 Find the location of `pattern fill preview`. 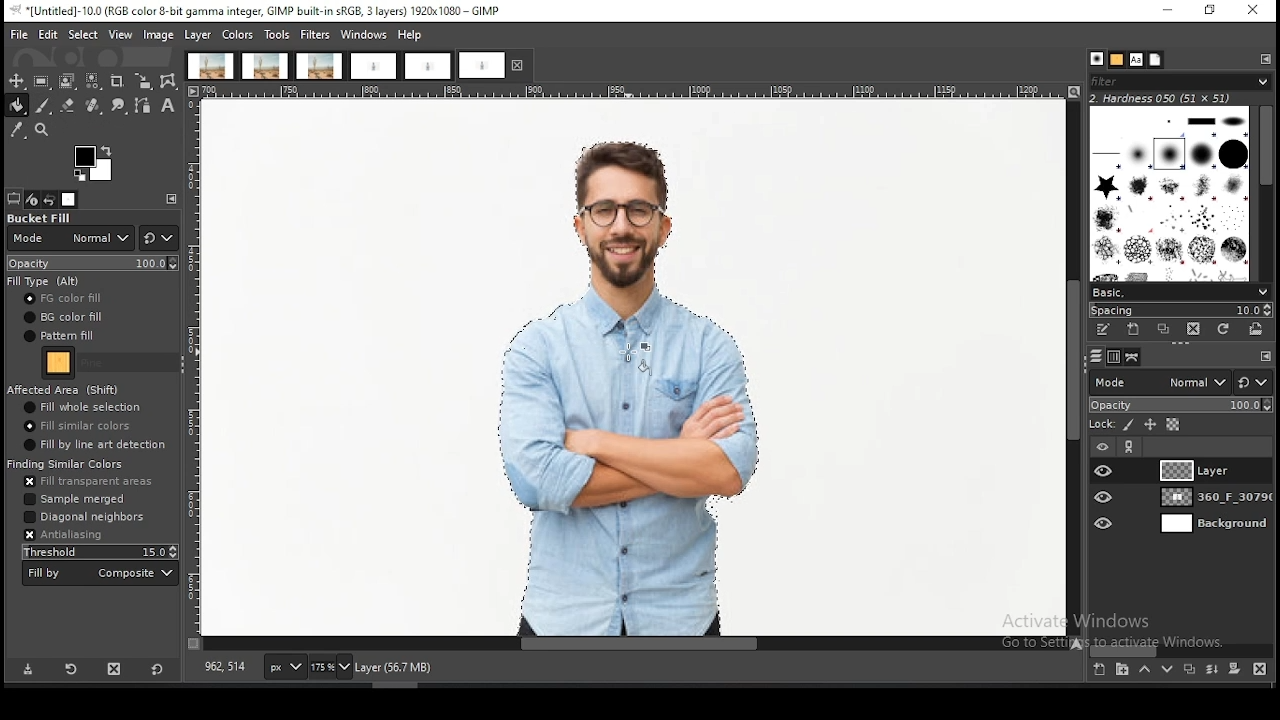

pattern fill preview is located at coordinates (57, 363).